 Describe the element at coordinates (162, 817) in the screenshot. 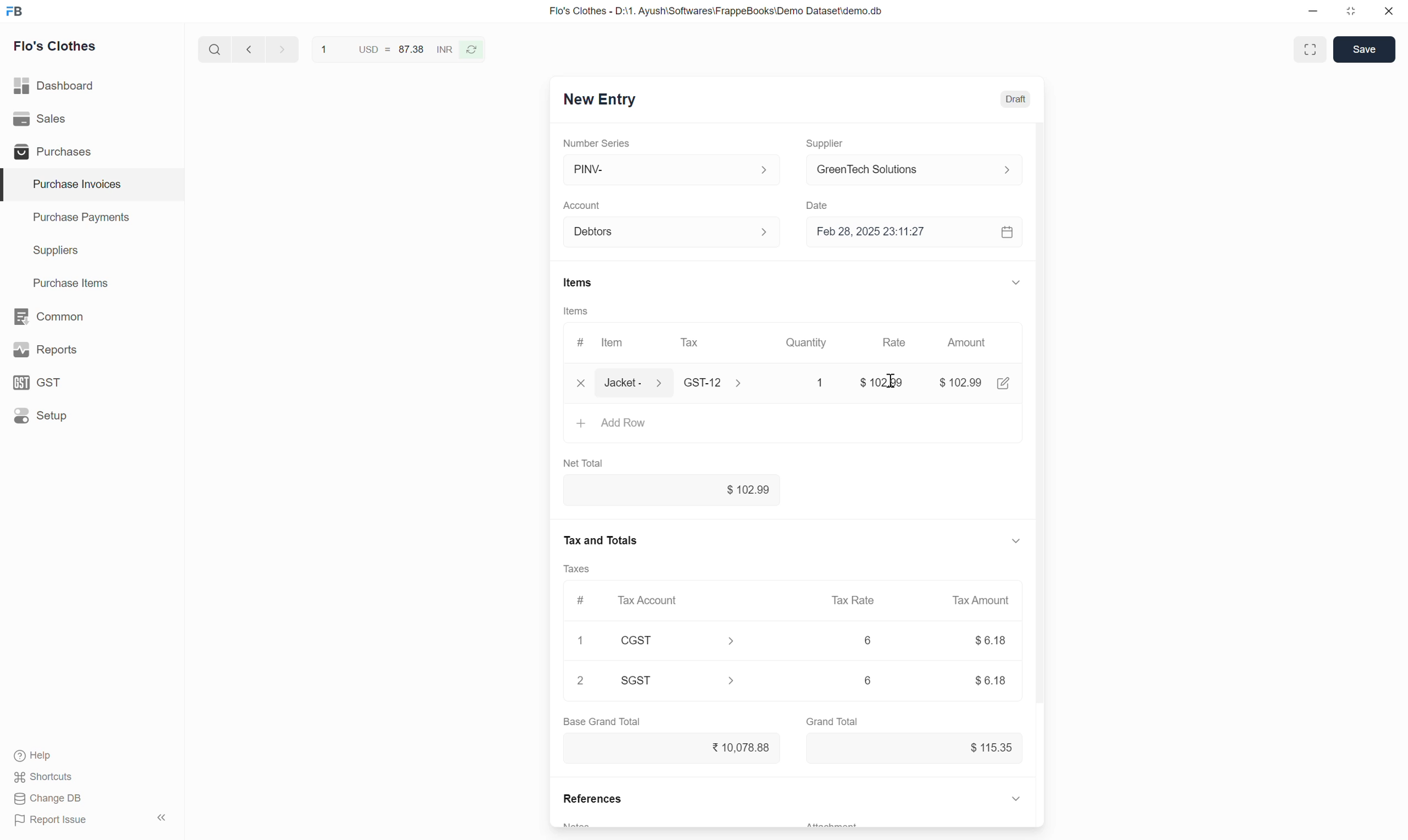

I see `Collapse` at that location.